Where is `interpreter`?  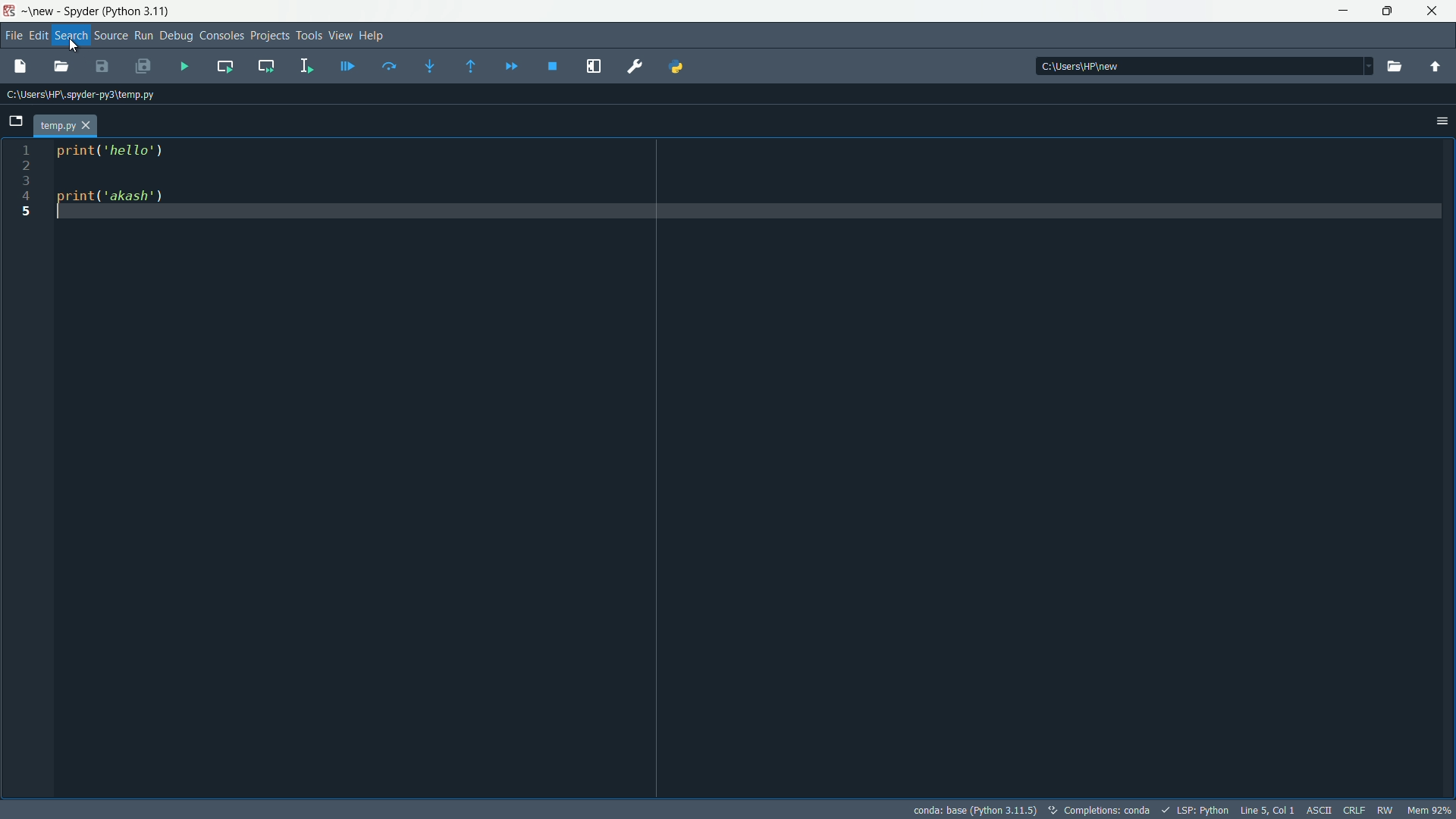 interpreter is located at coordinates (976, 809).